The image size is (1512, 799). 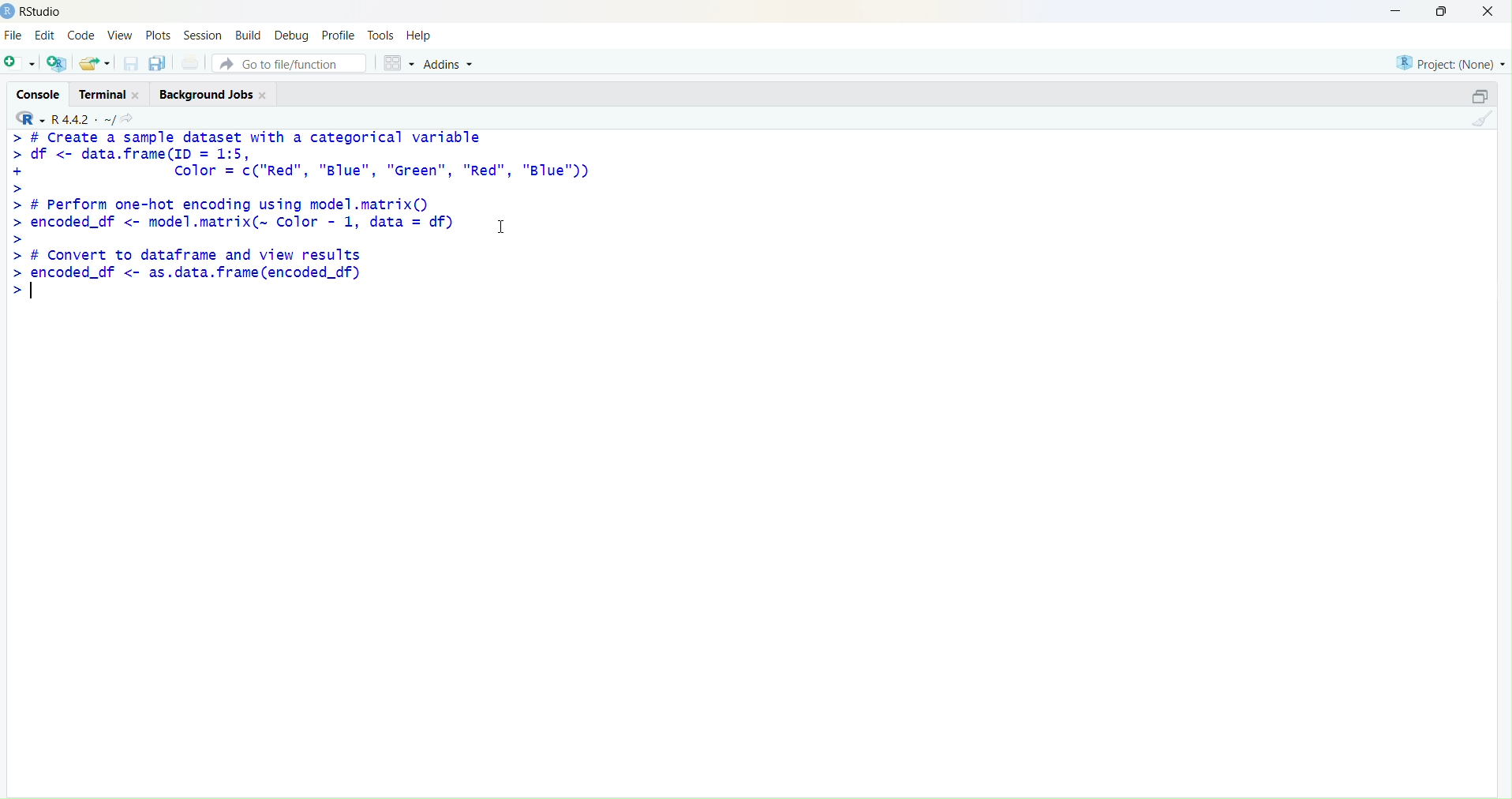 What do you see at coordinates (1488, 10) in the screenshot?
I see `close` at bounding box center [1488, 10].